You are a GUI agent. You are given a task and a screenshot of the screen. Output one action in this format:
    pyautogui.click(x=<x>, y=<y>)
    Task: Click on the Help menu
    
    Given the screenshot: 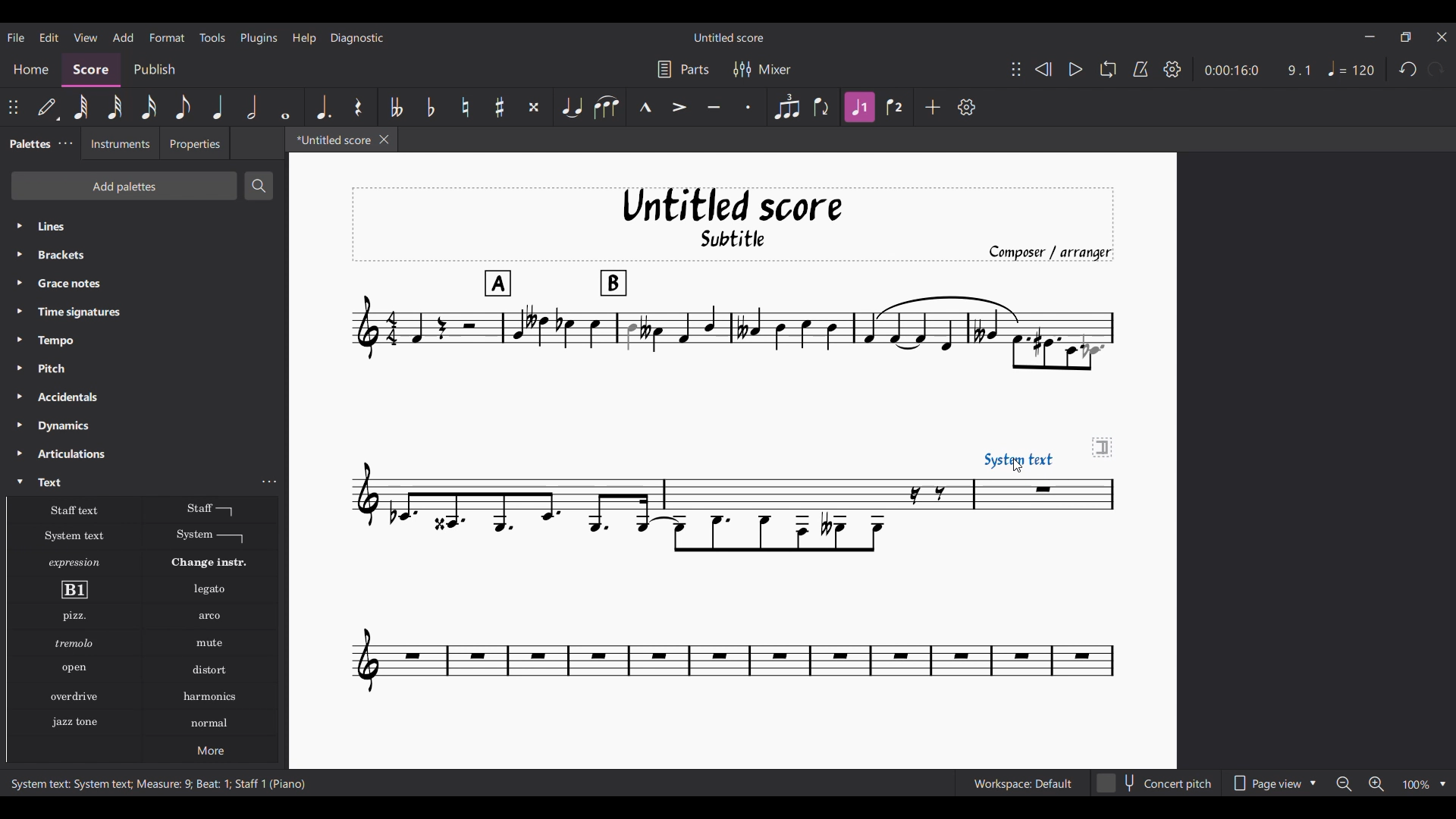 What is the action you would take?
    pyautogui.click(x=304, y=38)
    